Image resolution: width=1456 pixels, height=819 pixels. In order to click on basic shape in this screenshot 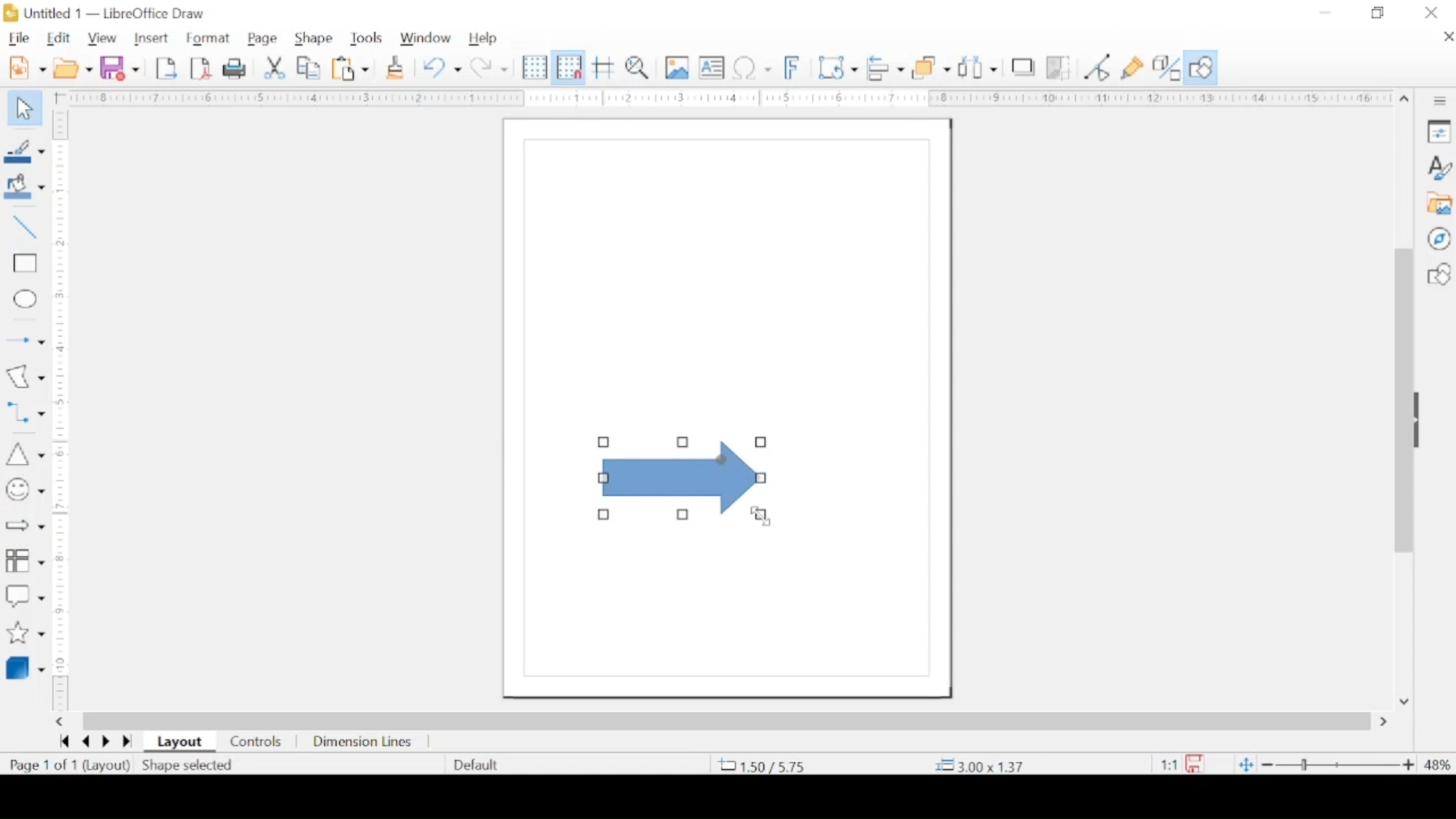, I will do `click(1438, 274)`.